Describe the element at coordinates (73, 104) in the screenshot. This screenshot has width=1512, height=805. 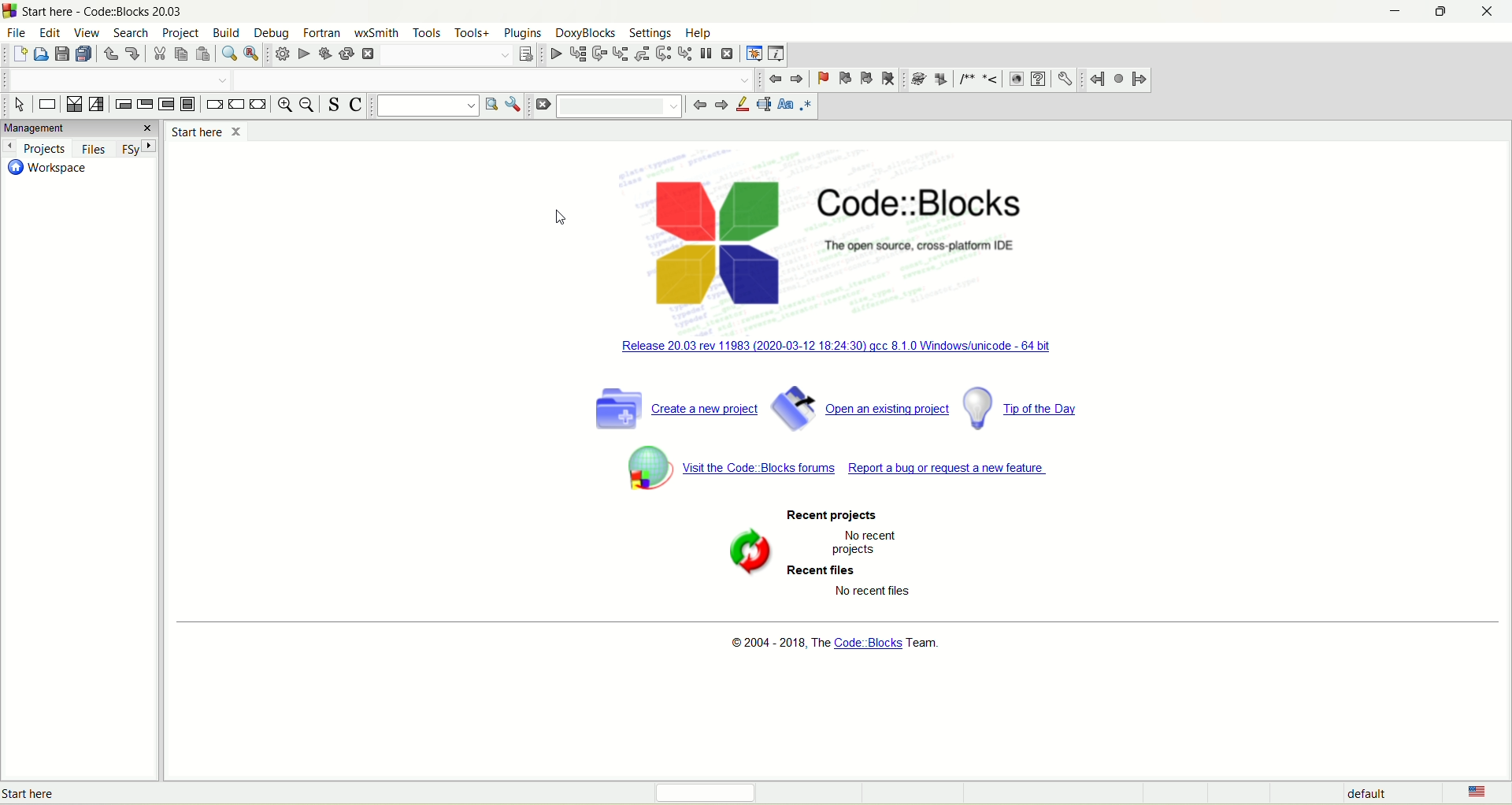
I see `decision` at that location.